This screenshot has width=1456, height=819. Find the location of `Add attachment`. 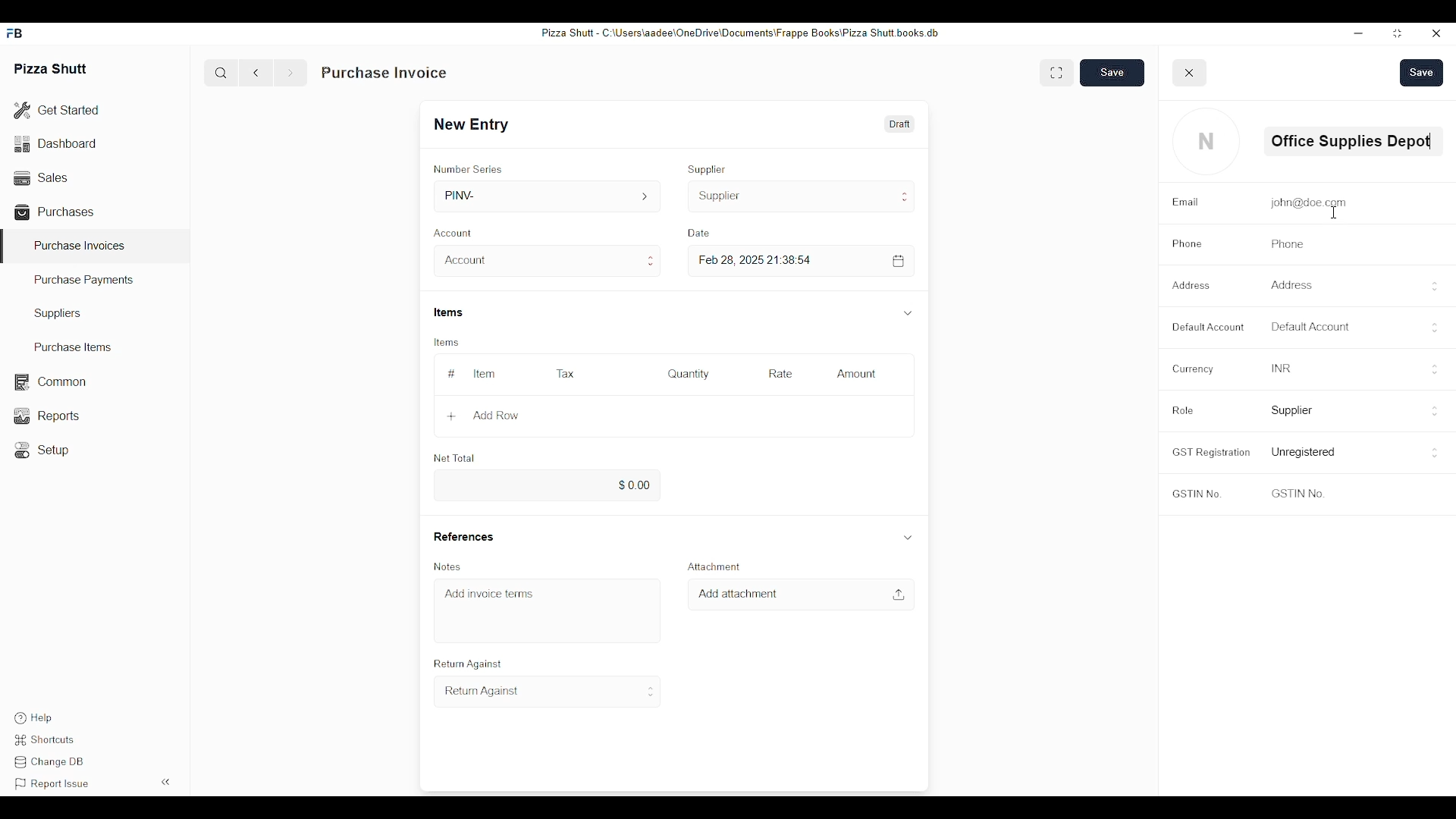

Add attachment is located at coordinates (738, 594).